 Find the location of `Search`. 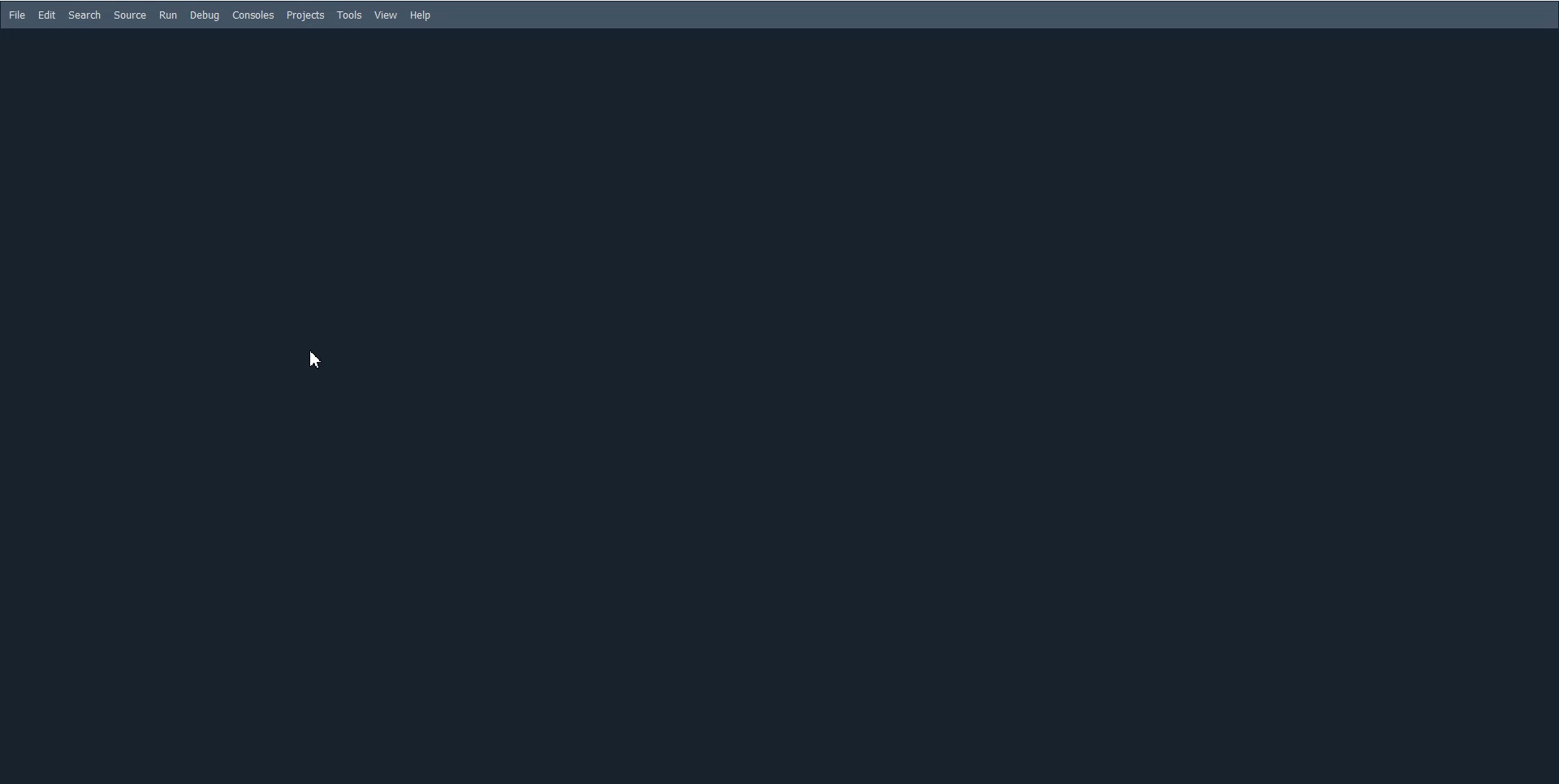

Search is located at coordinates (84, 15).